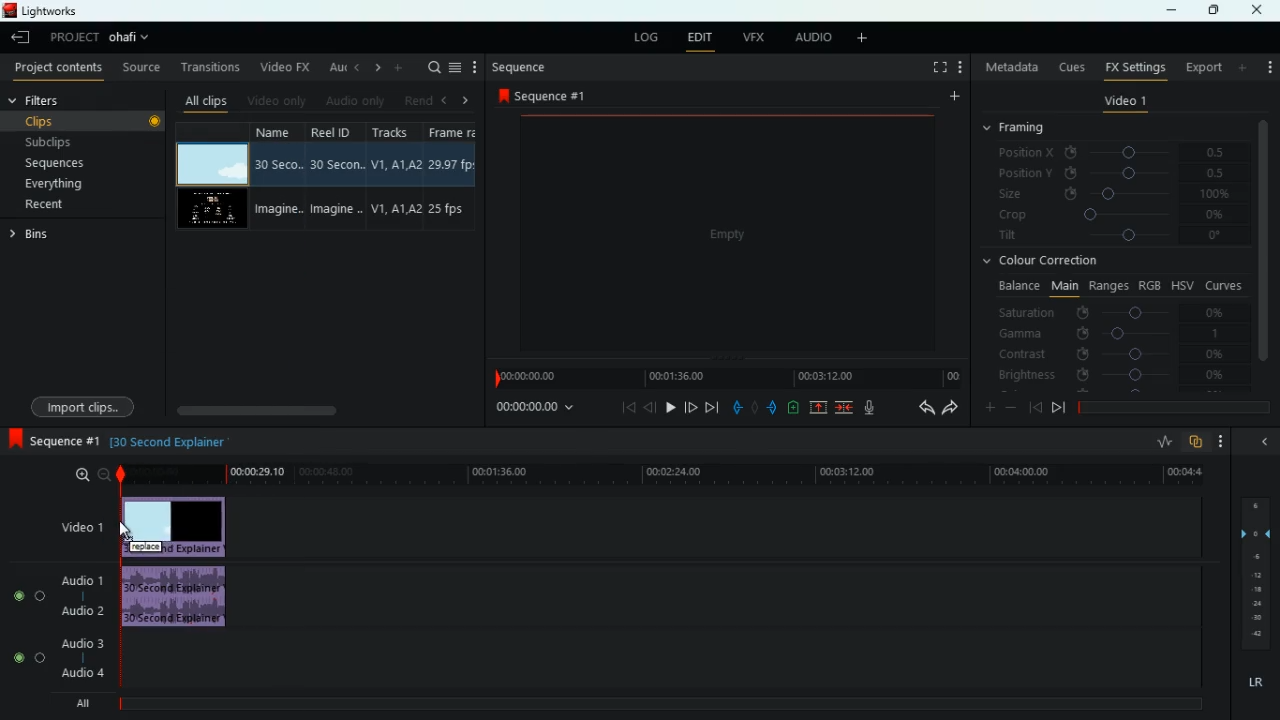 The width and height of the screenshot is (1280, 720). What do you see at coordinates (475, 66) in the screenshot?
I see `more` at bounding box center [475, 66].